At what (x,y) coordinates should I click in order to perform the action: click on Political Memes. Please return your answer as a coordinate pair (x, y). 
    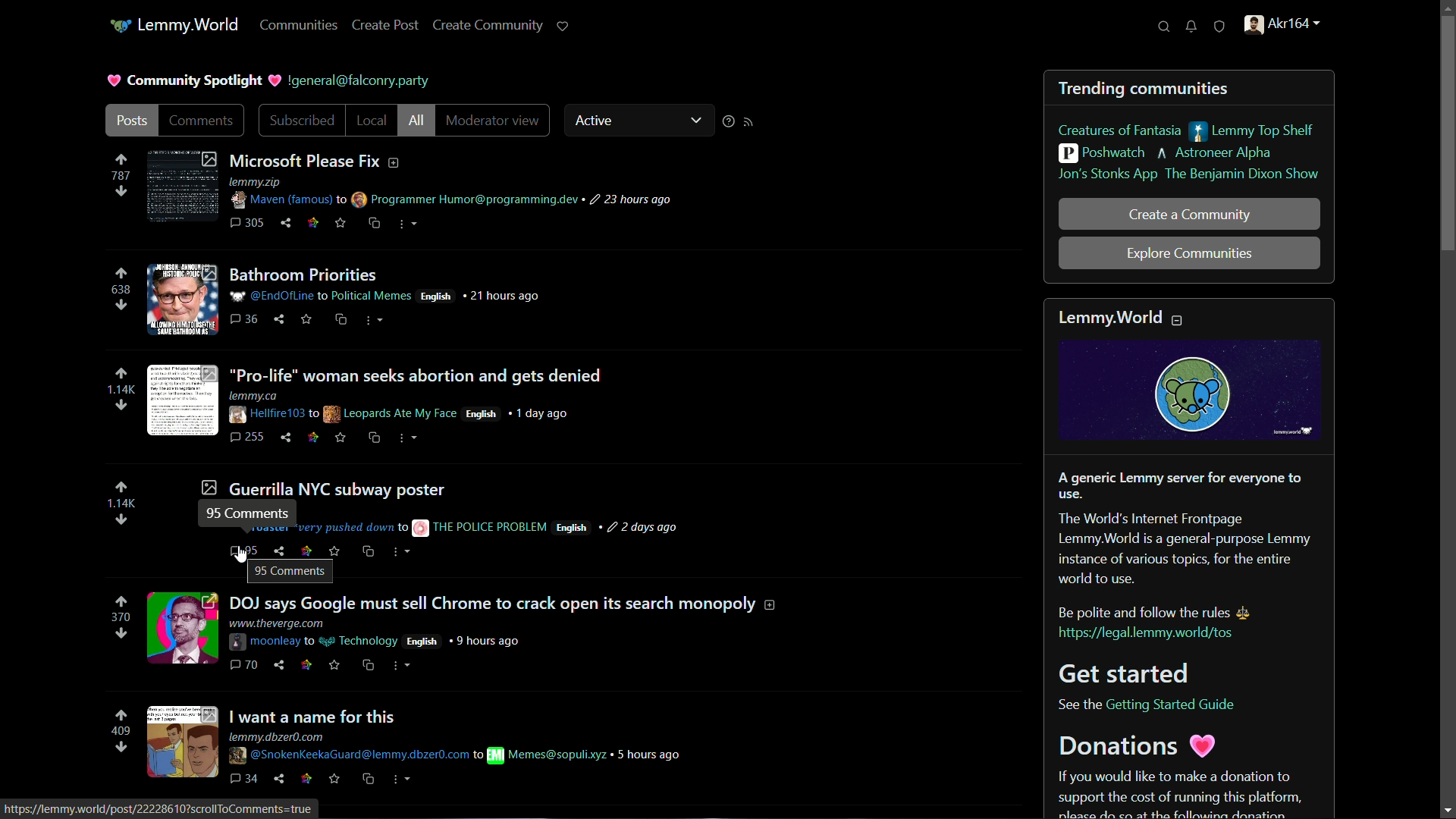
    Looking at the image, I should click on (373, 295).